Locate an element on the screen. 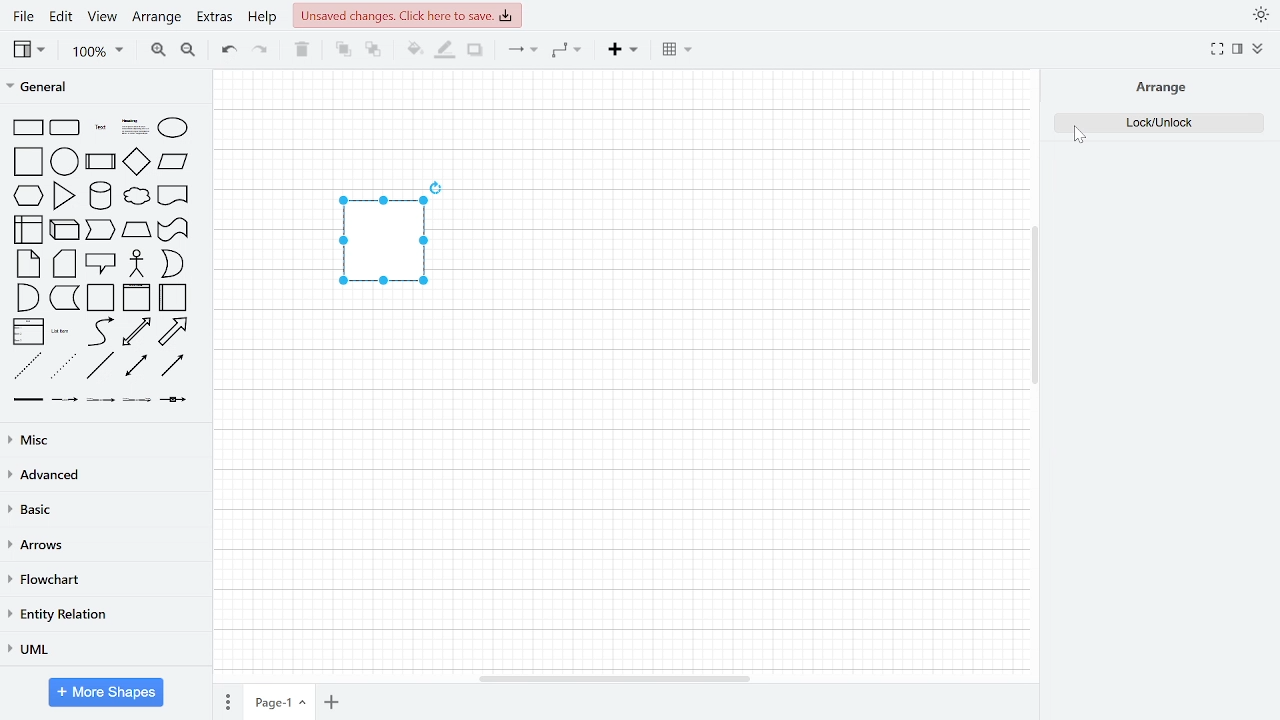 The width and height of the screenshot is (1280, 720). shadow is located at coordinates (474, 50).